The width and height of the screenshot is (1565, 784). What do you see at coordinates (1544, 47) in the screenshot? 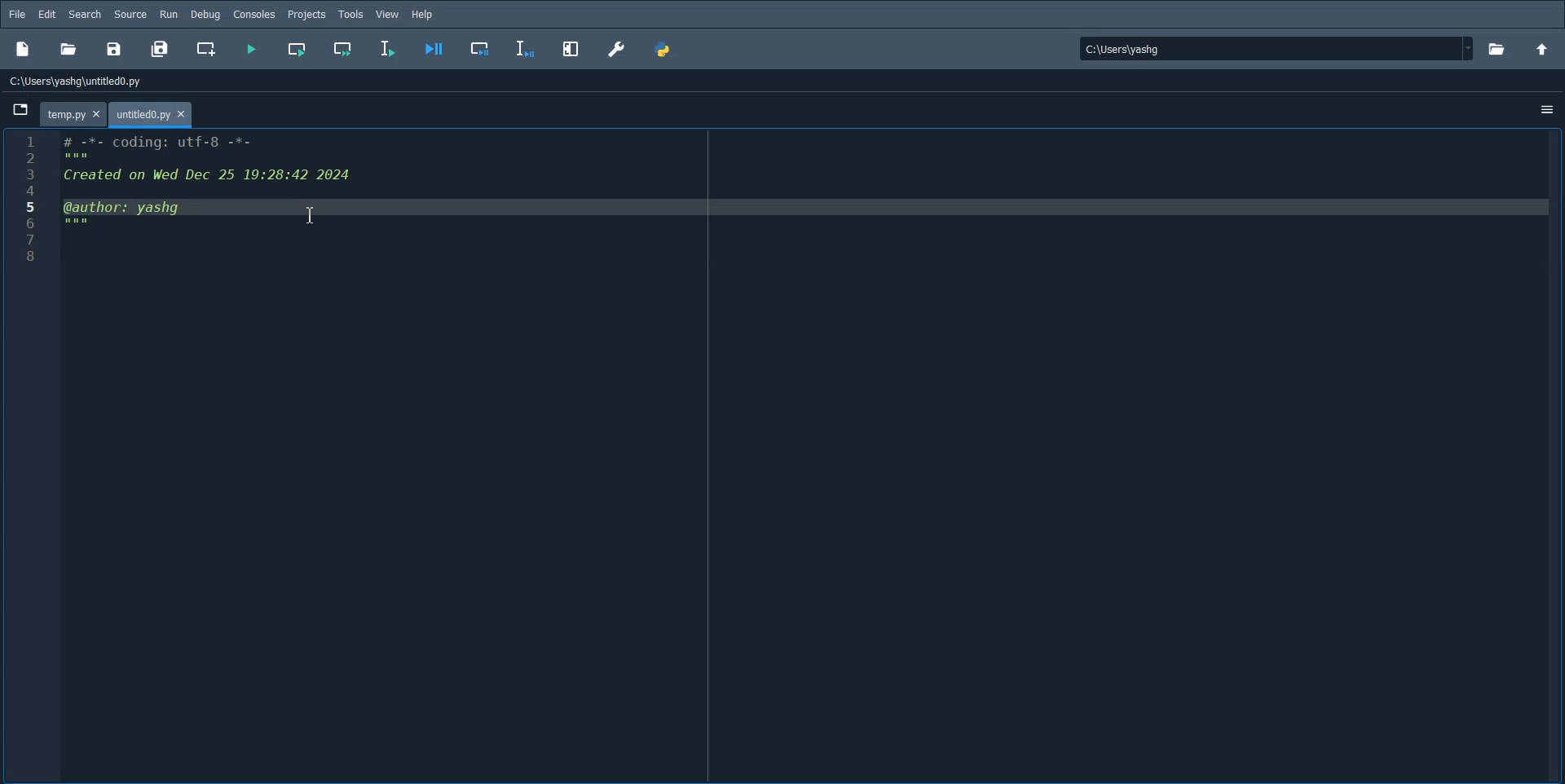
I see `Change the parent directory` at bounding box center [1544, 47].